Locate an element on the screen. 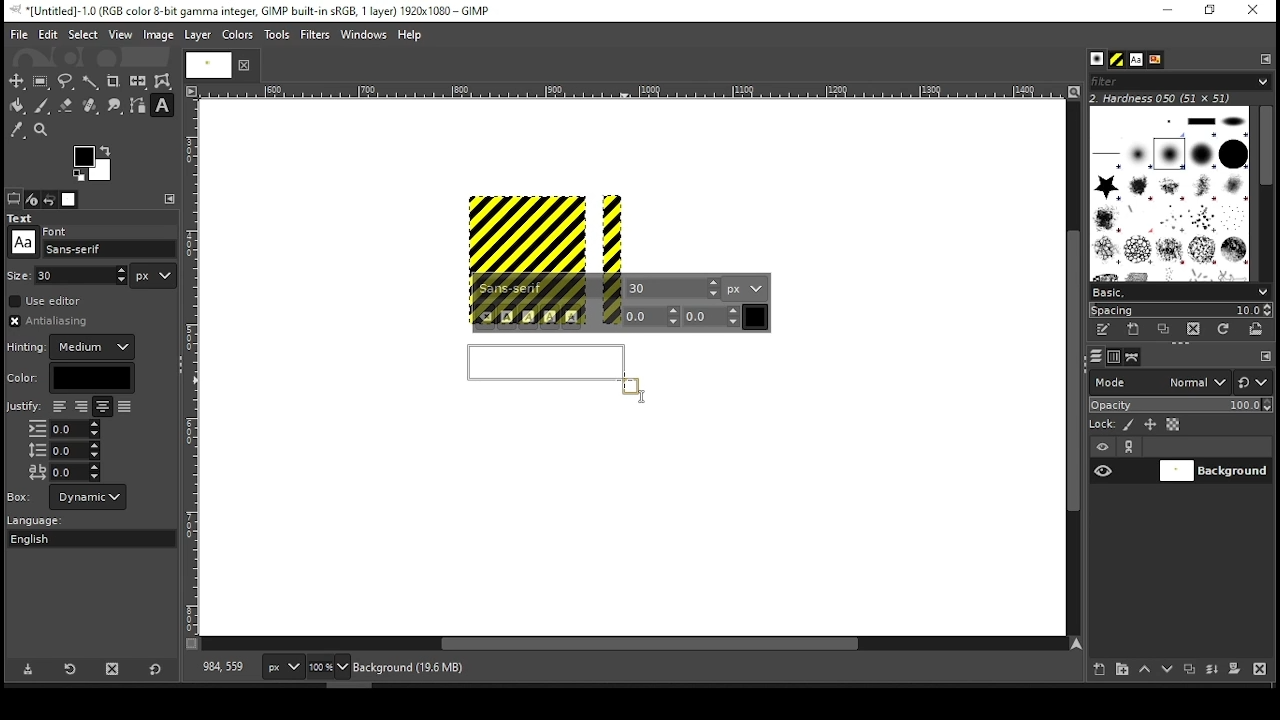  move layer one step down is located at coordinates (1168, 671).